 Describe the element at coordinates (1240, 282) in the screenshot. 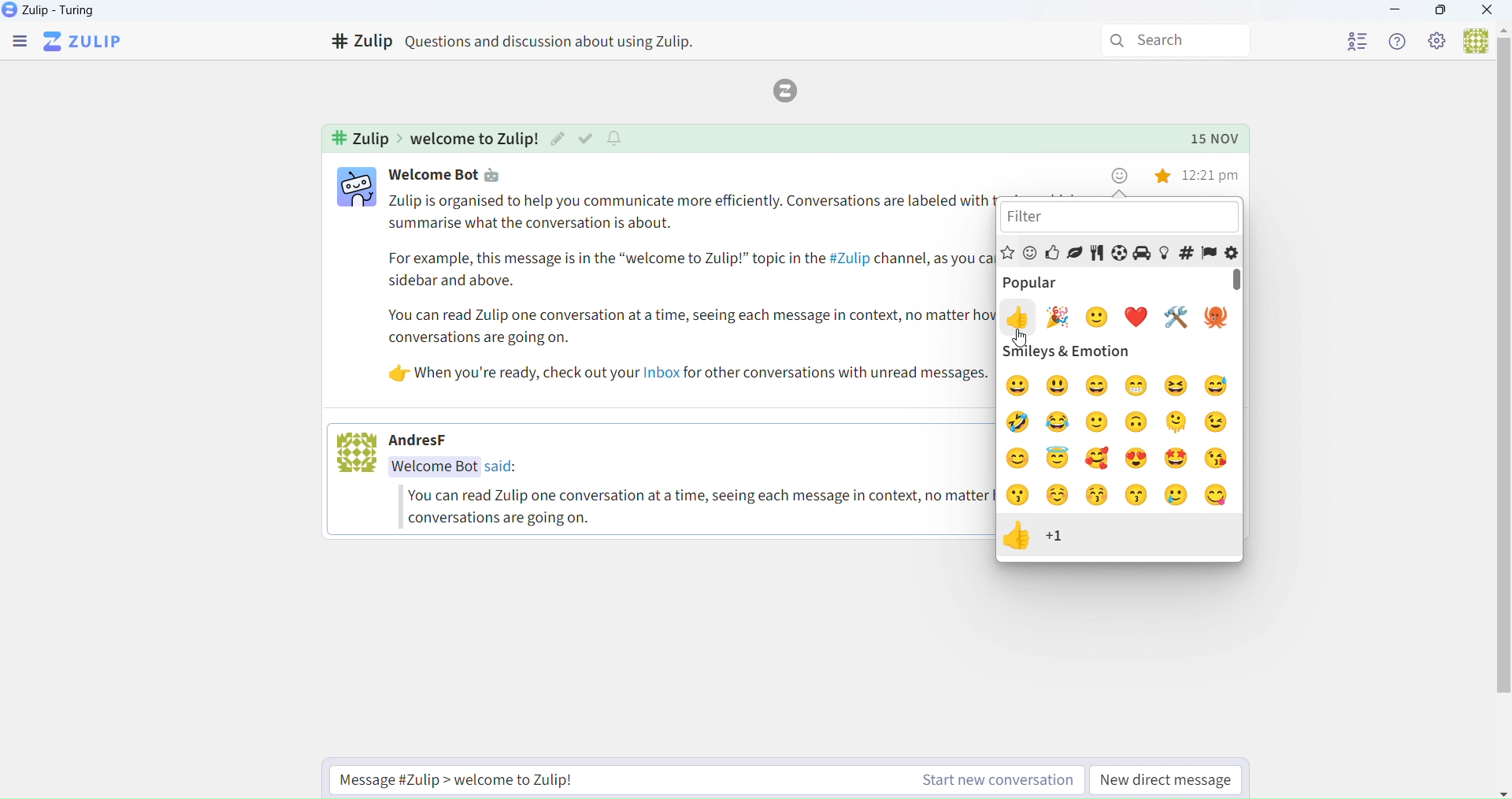

I see `vertical scroll bar` at that location.